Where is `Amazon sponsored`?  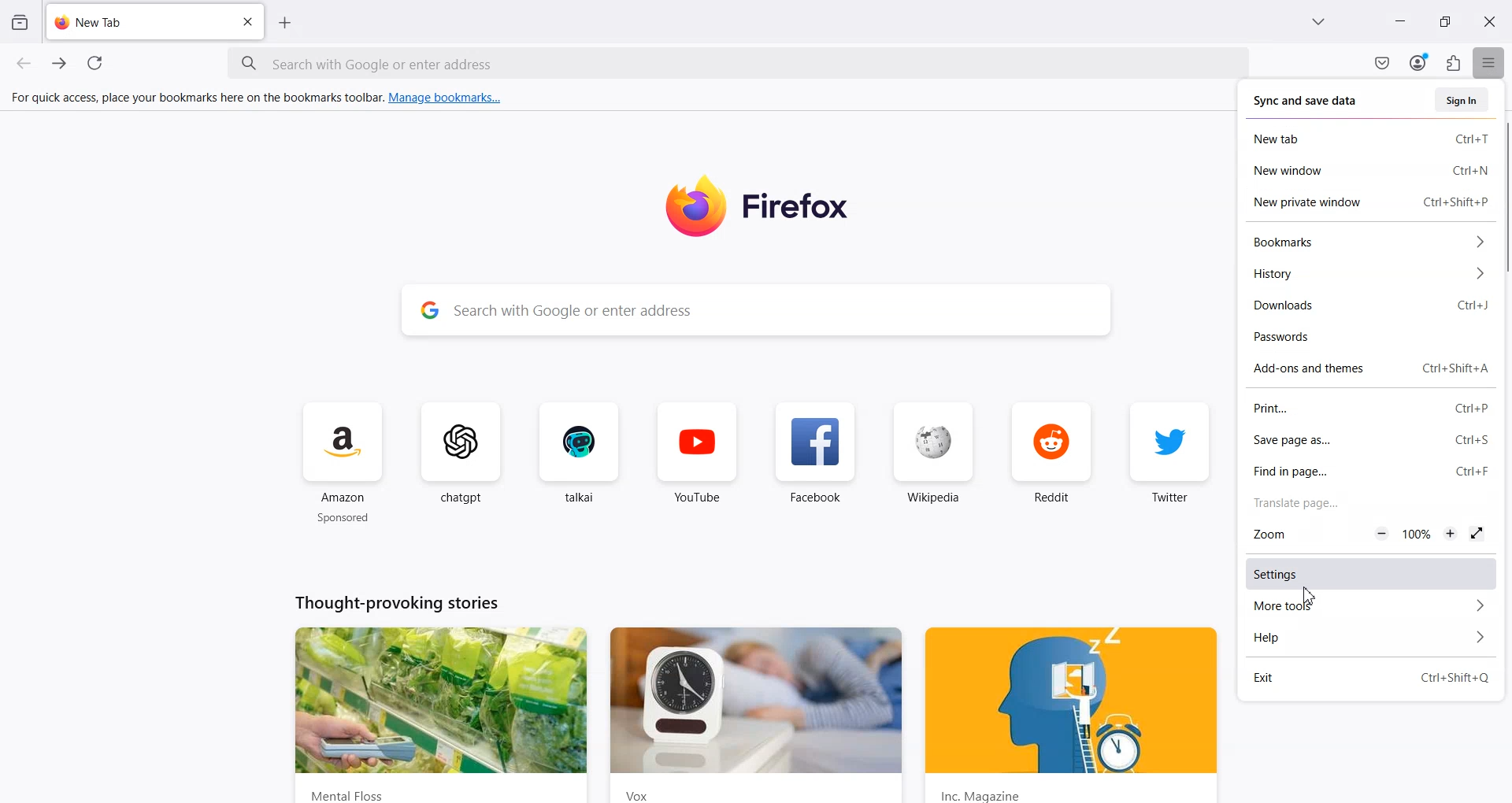 Amazon sponsored is located at coordinates (344, 464).